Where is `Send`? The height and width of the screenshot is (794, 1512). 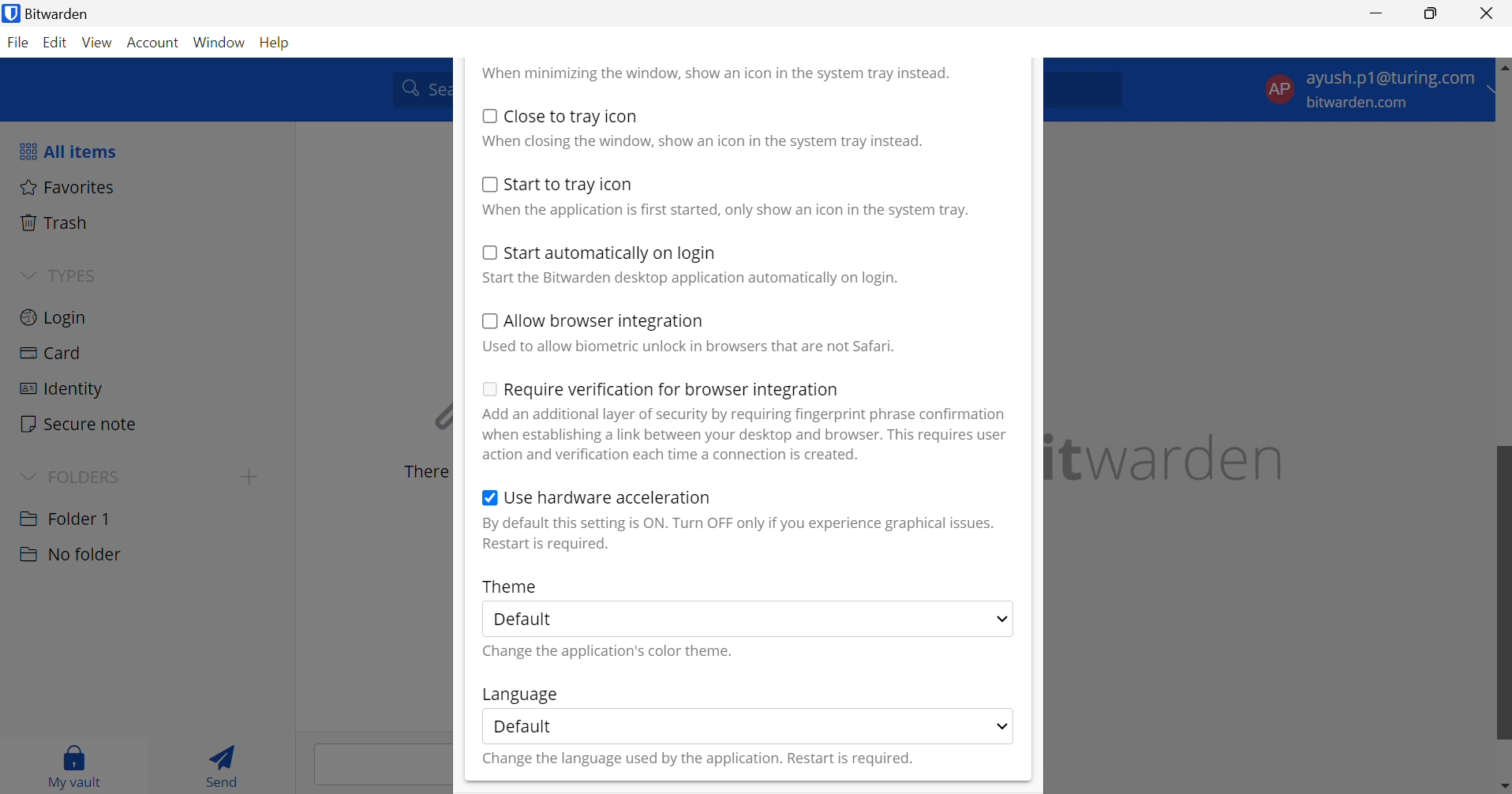 Send is located at coordinates (227, 764).